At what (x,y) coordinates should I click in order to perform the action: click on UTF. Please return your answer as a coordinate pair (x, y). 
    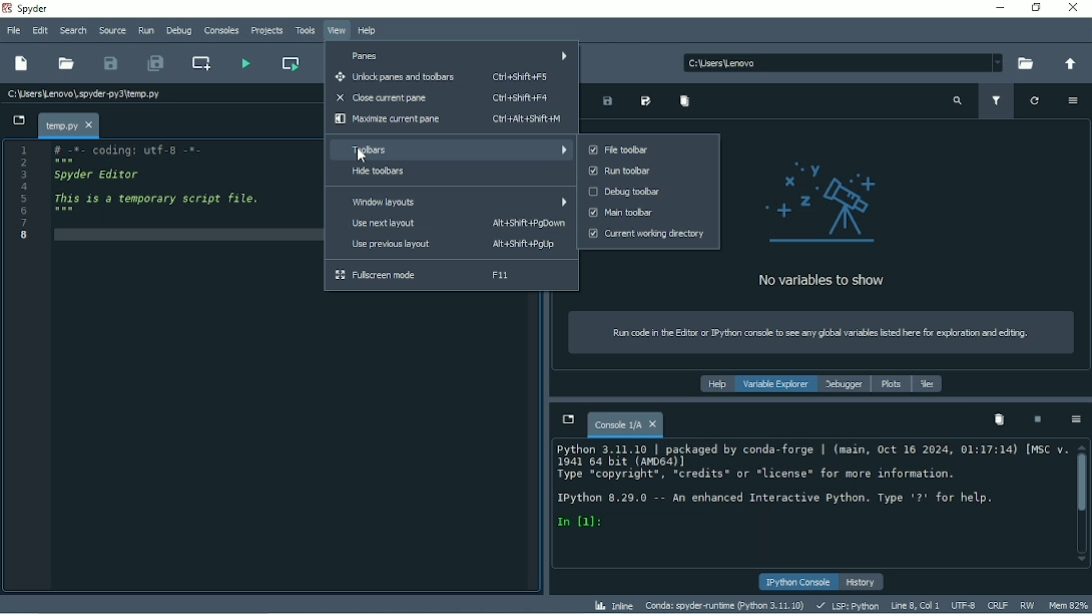
    Looking at the image, I should click on (963, 604).